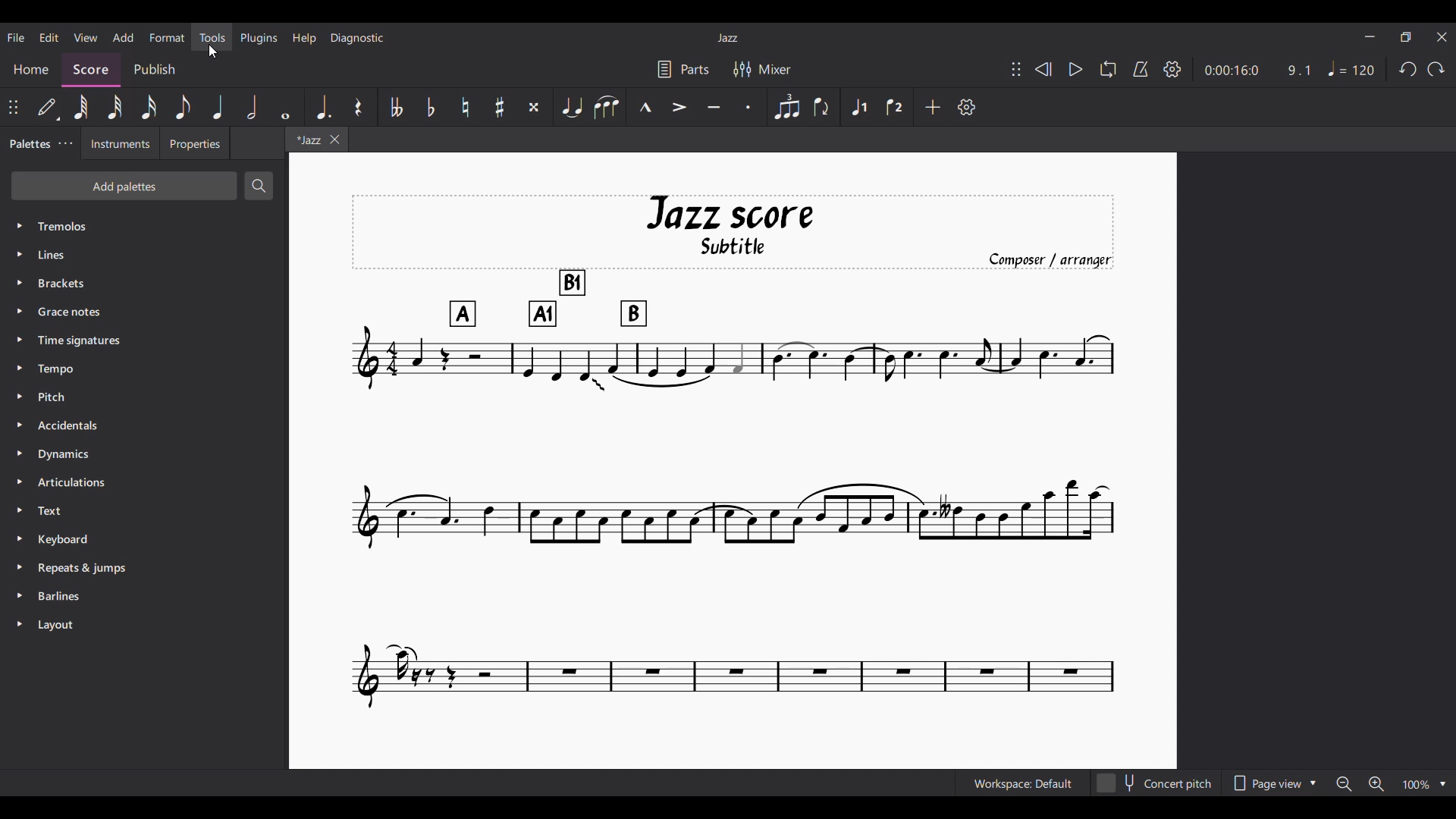 This screenshot has width=1456, height=819. I want to click on Accent, so click(680, 108).